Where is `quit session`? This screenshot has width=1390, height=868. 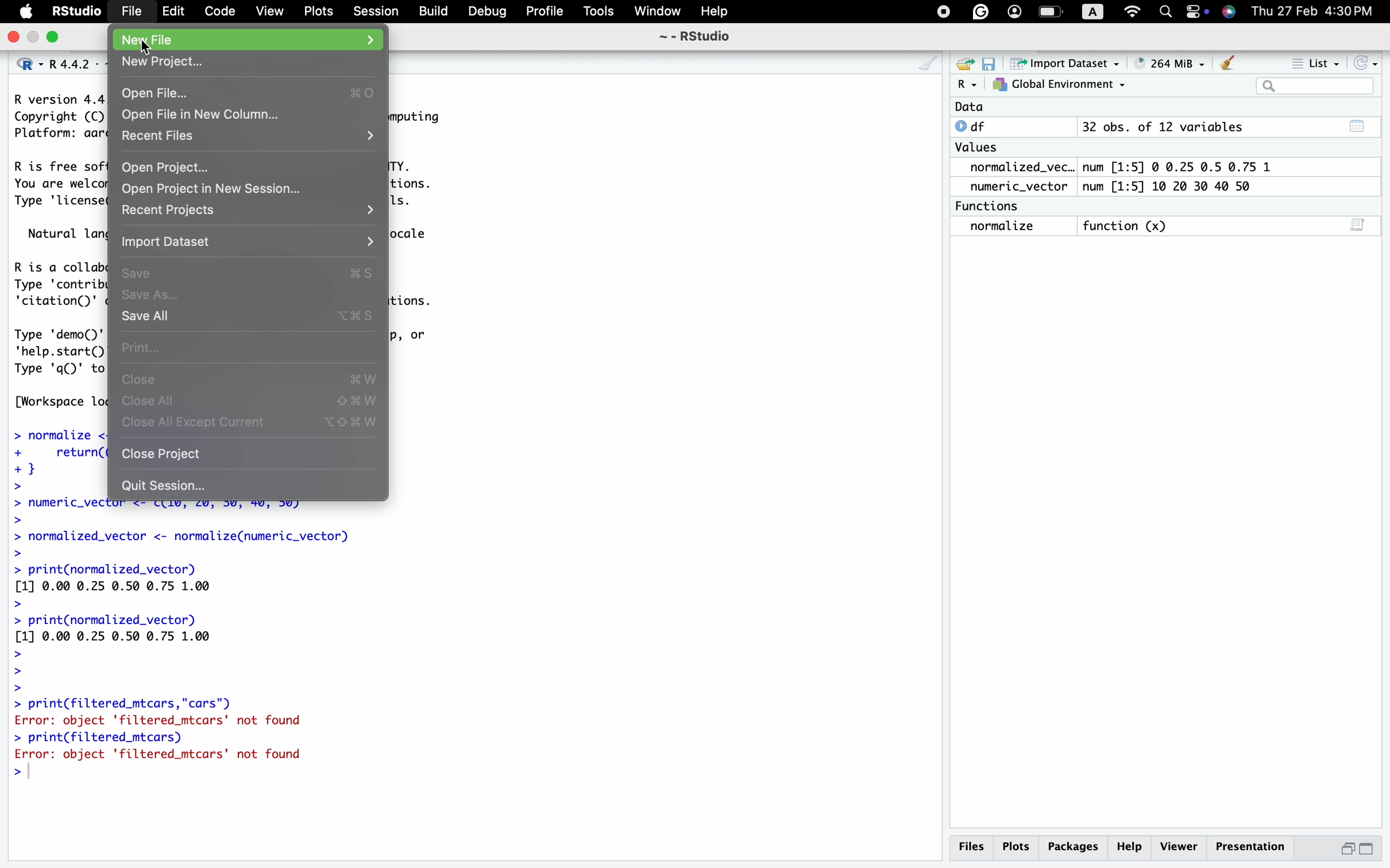
quit session is located at coordinates (250, 482).